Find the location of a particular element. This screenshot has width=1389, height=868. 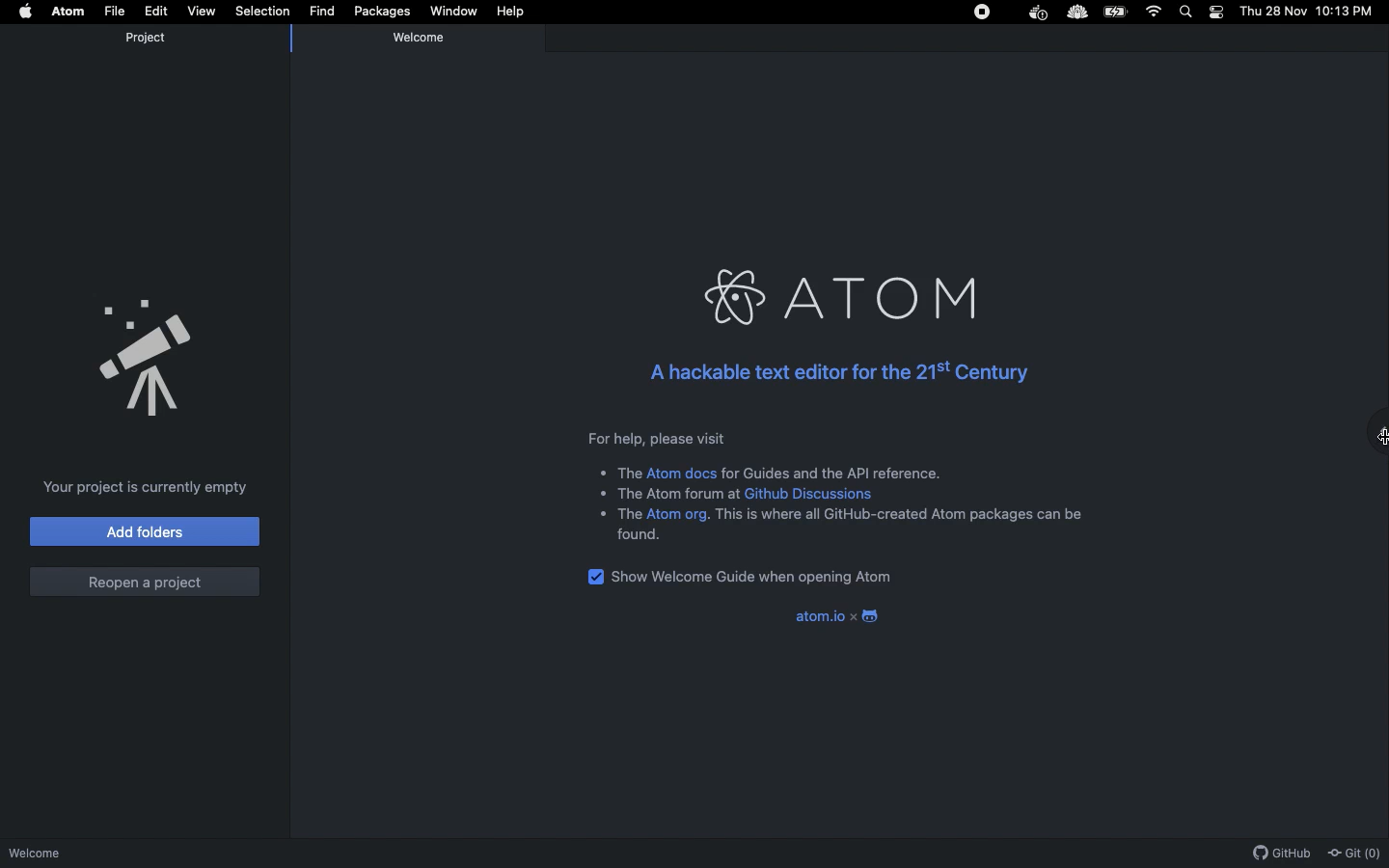

Git is located at coordinates (1356, 855).